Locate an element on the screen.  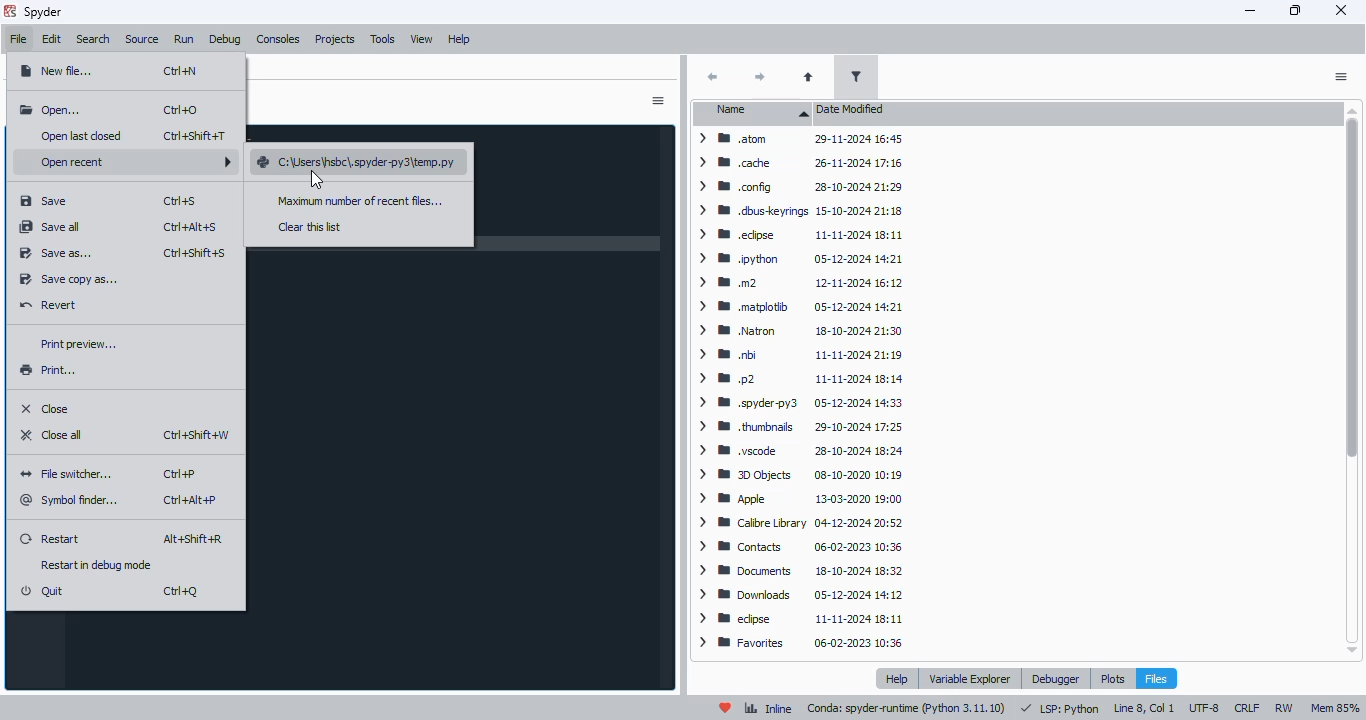
new file is located at coordinates (57, 69).